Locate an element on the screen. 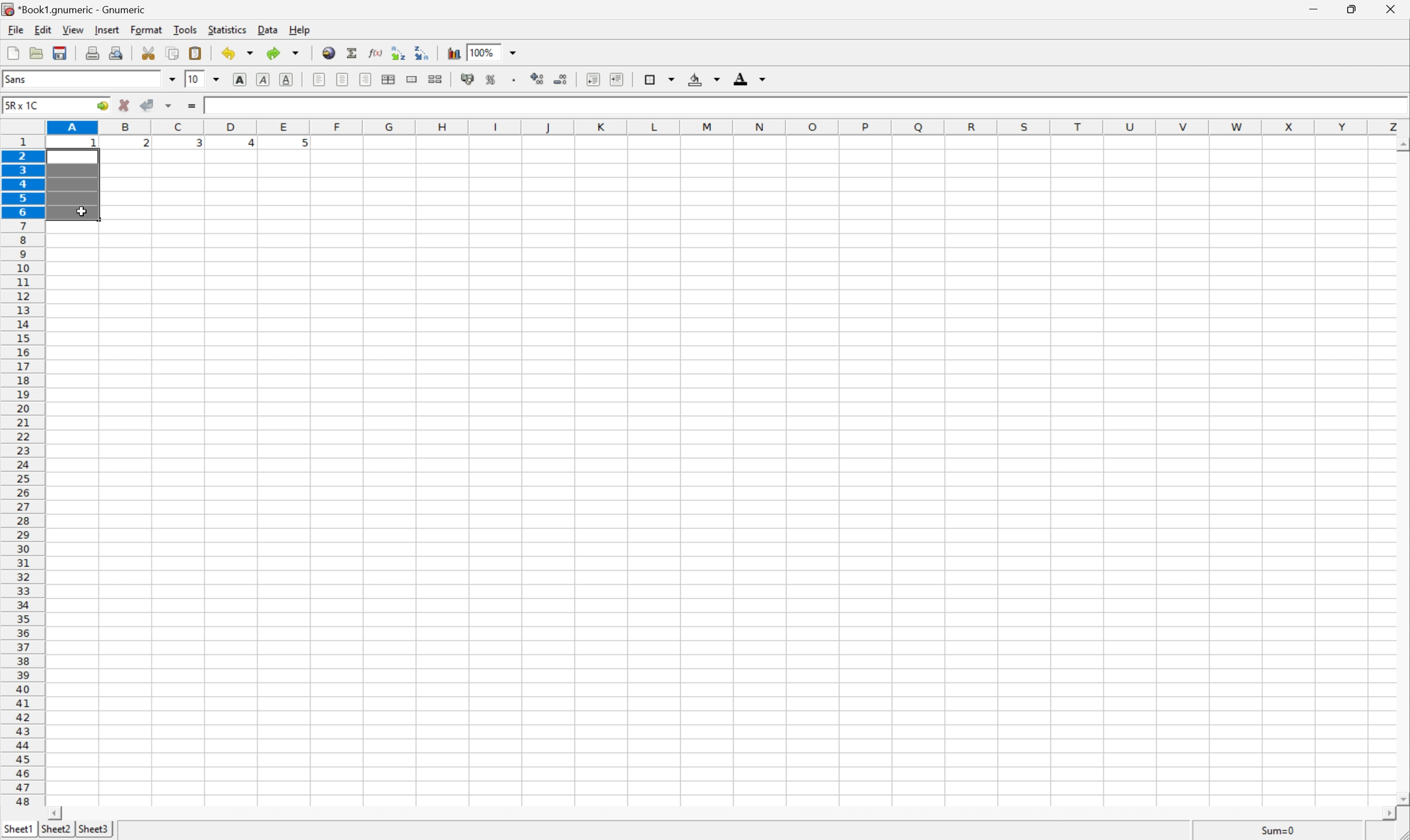  accept changes is located at coordinates (148, 105).